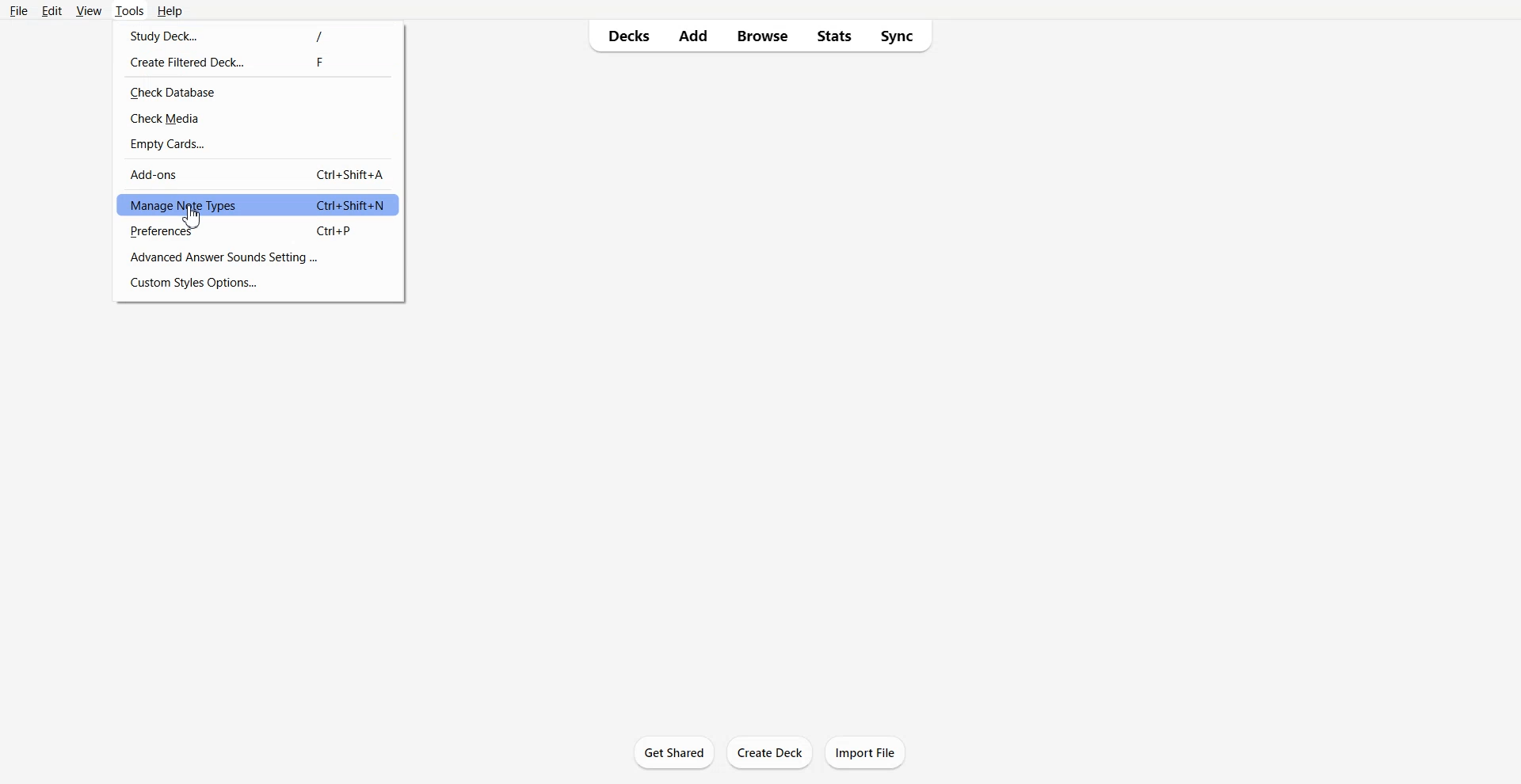  What do you see at coordinates (51, 11) in the screenshot?
I see `Edit` at bounding box center [51, 11].